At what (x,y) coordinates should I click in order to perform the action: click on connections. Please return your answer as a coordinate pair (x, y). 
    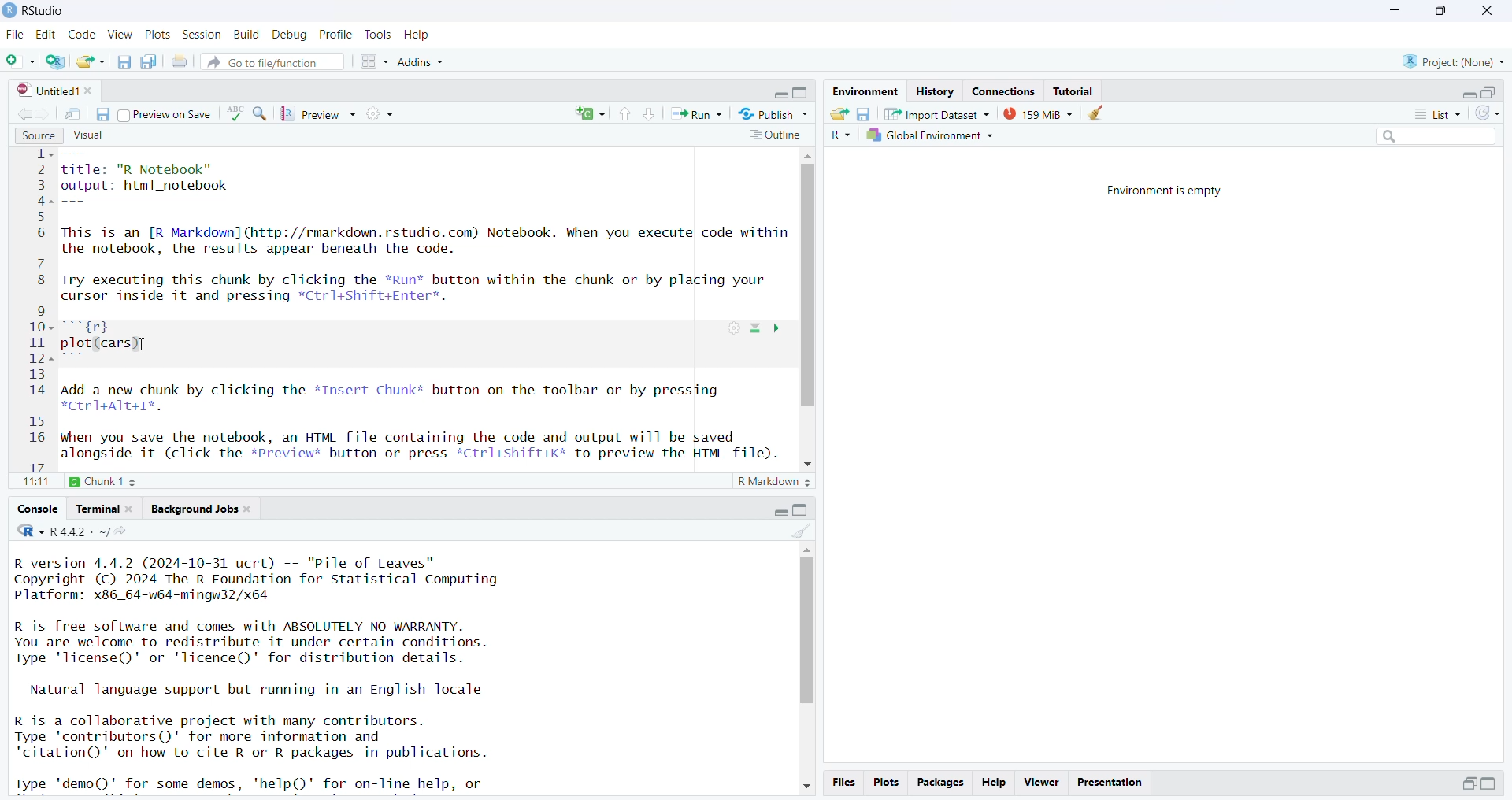
    Looking at the image, I should click on (1008, 91).